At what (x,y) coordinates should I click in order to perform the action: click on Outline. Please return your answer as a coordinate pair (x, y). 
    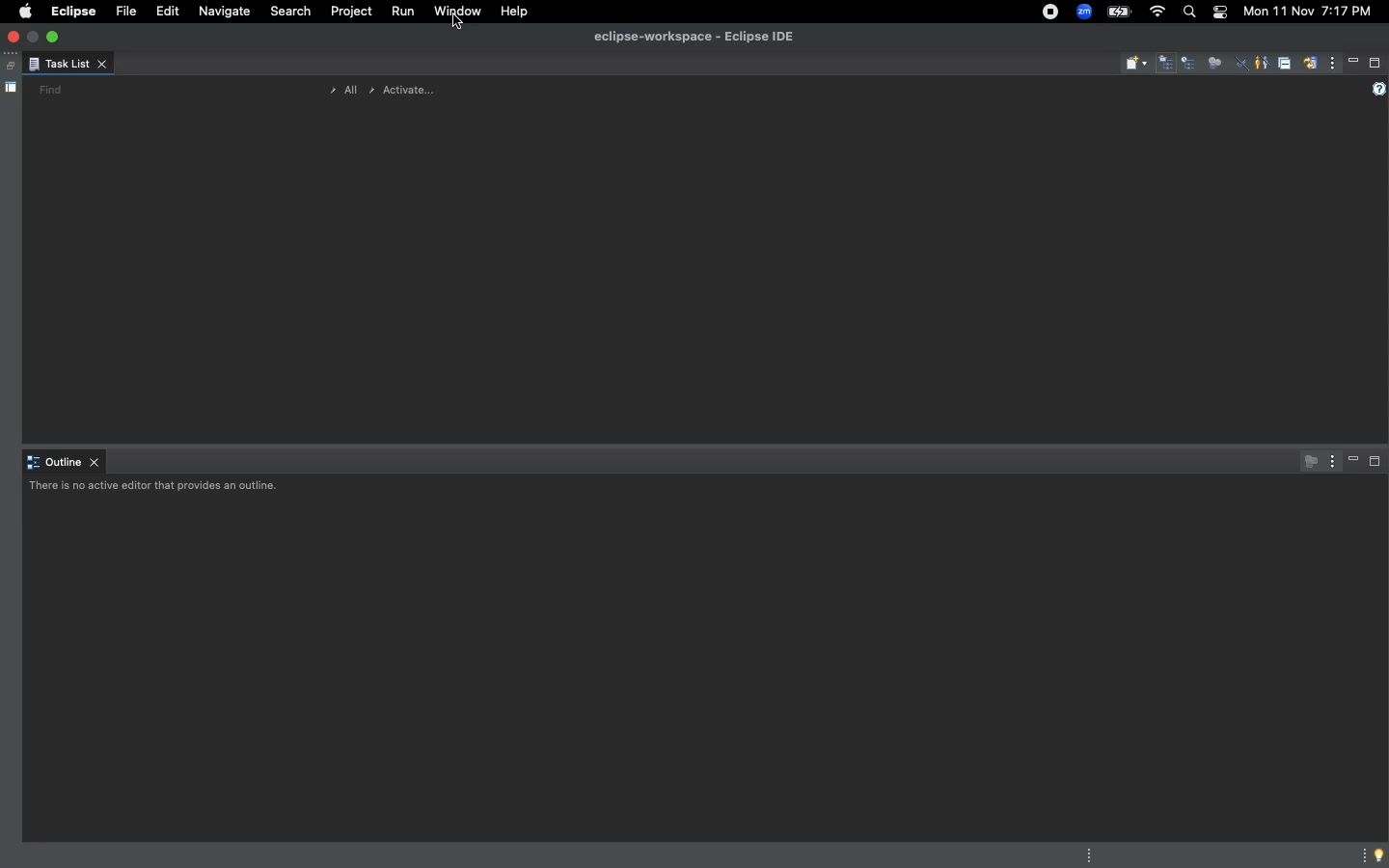
    Looking at the image, I should click on (65, 463).